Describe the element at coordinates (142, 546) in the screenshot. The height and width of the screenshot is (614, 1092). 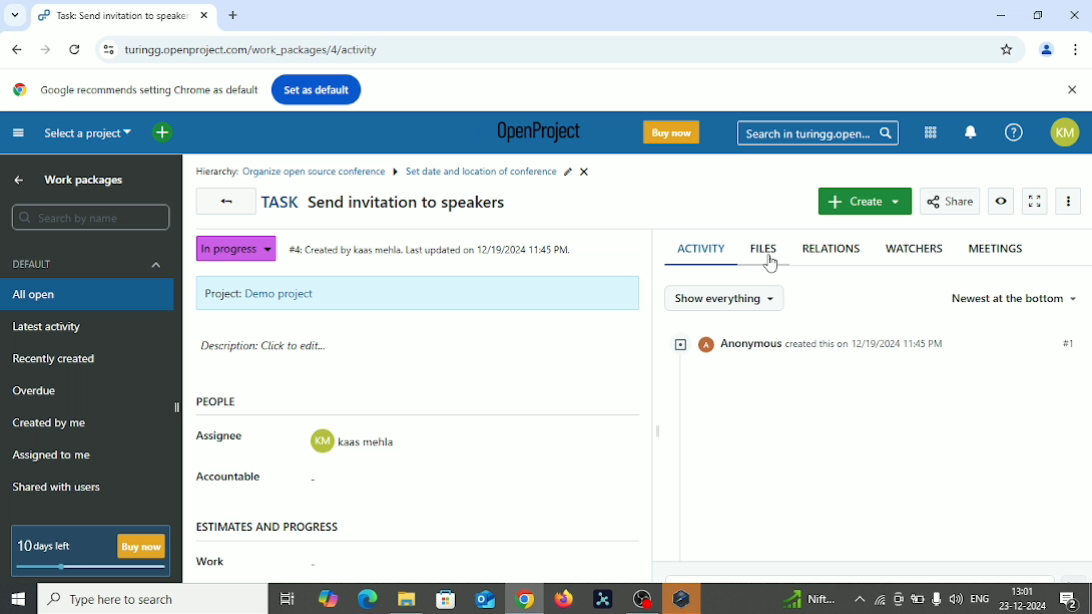
I see `buy now` at that location.